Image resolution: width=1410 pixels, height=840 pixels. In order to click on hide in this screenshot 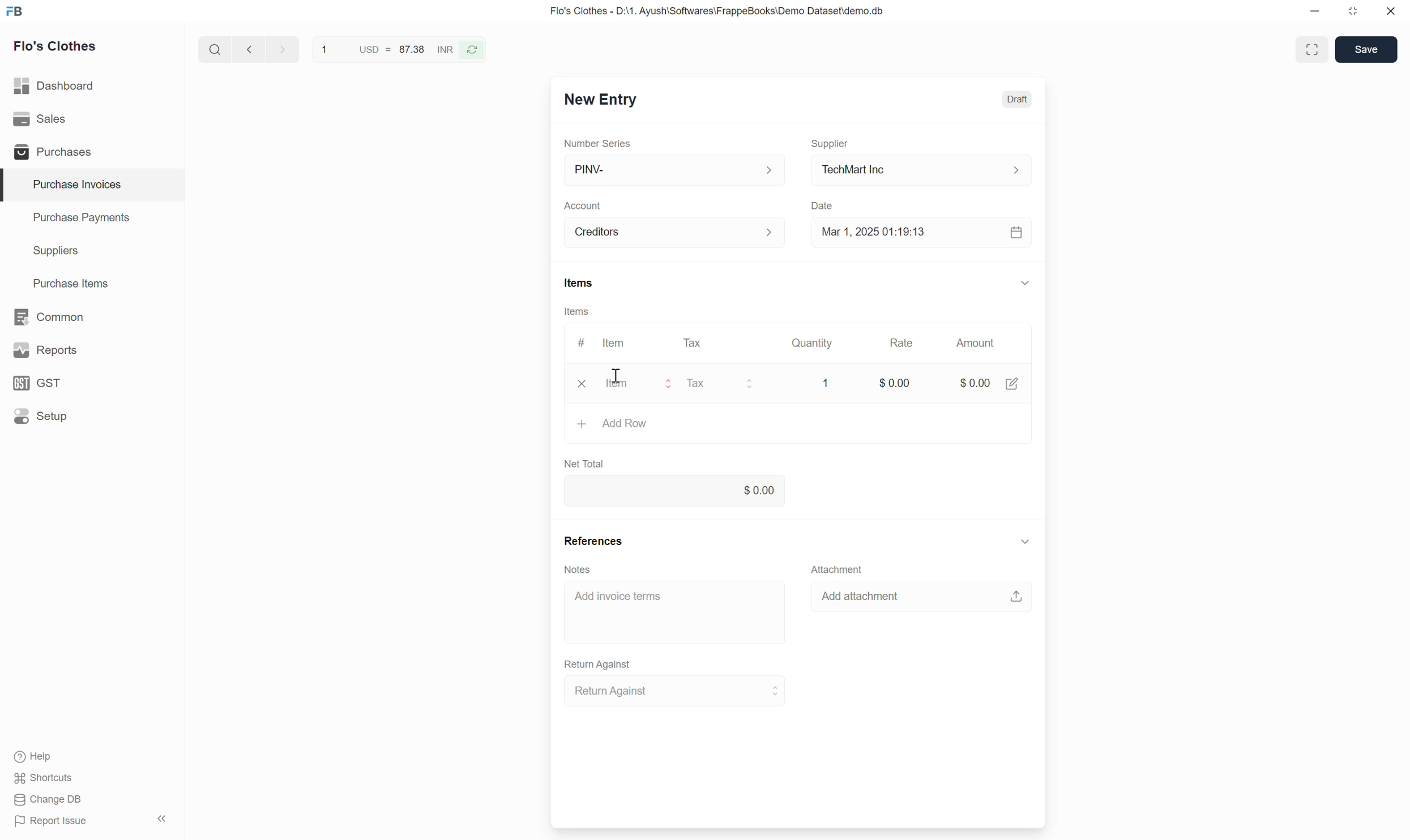, I will do `click(160, 817)`.